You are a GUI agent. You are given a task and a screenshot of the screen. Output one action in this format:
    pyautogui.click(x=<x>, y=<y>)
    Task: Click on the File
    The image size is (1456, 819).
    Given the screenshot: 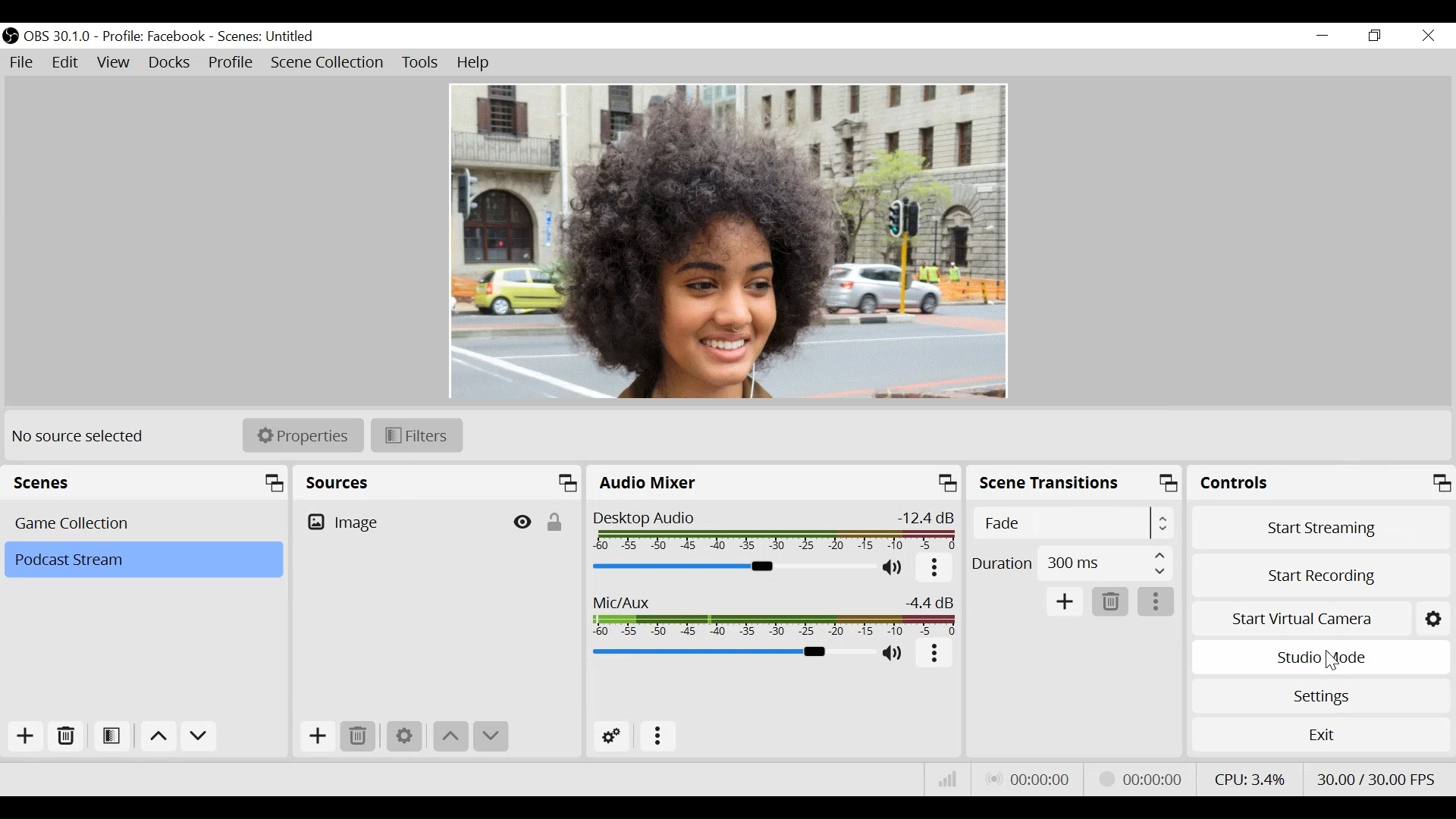 What is the action you would take?
    pyautogui.click(x=22, y=63)
    